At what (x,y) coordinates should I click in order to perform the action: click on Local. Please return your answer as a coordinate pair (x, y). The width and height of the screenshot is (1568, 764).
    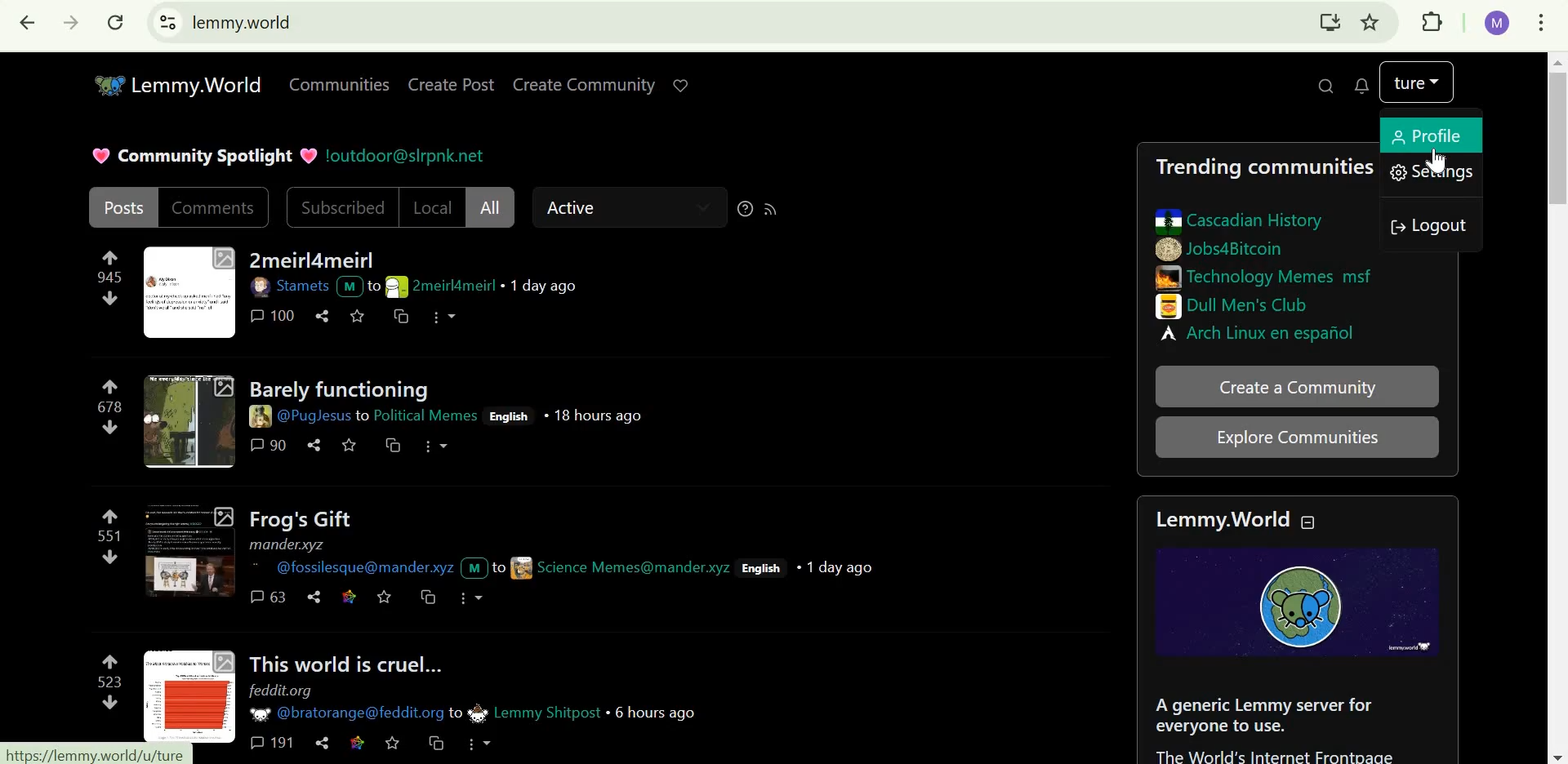
    Looking at the image, I should click on (434, 207).